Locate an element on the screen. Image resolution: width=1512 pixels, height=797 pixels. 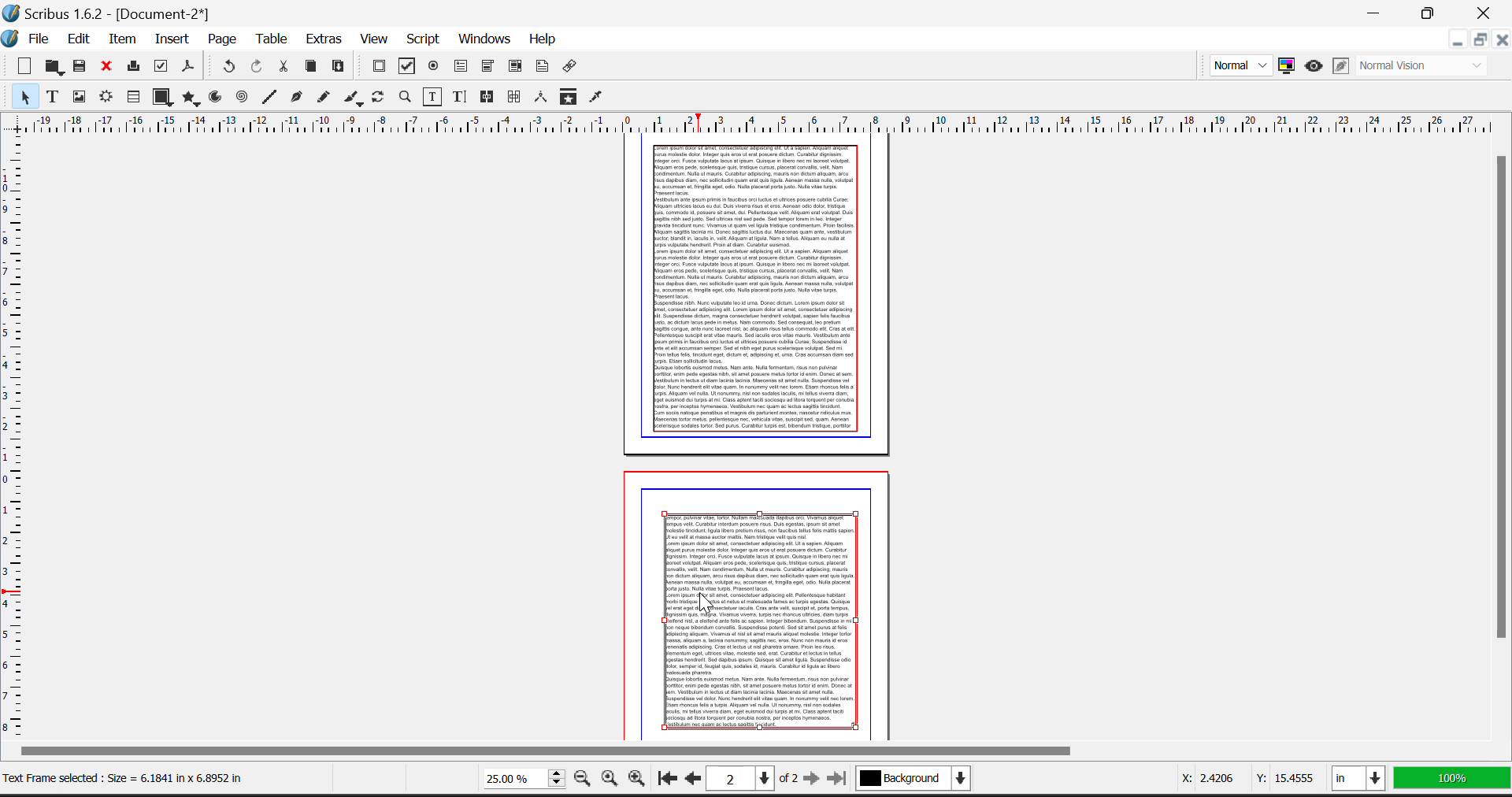
PDF Checkbox is located at coordinates (407, 66).